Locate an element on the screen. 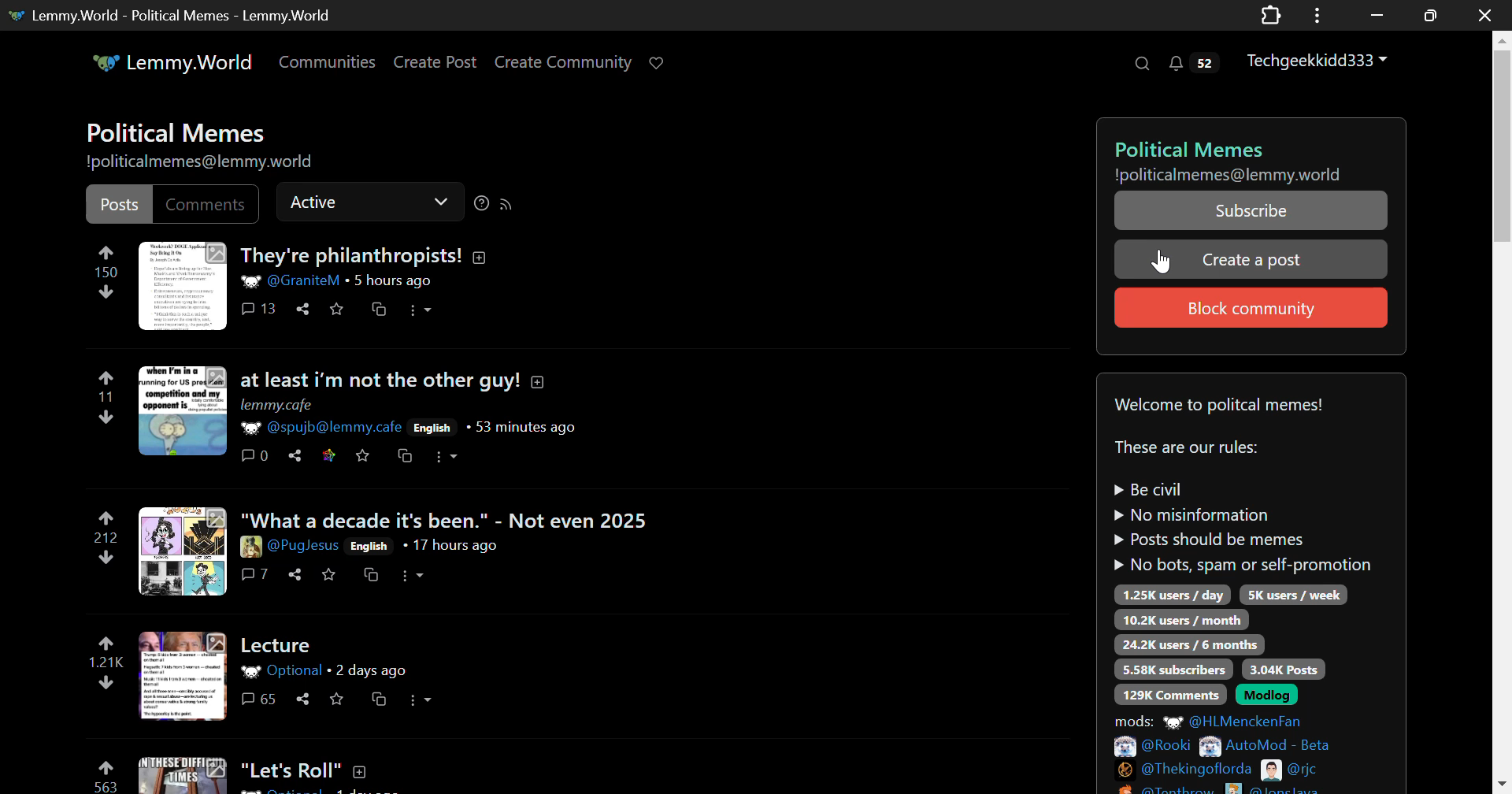 The image size is (1512, 794). Cursor Position is located at coordinates (1162, 262).